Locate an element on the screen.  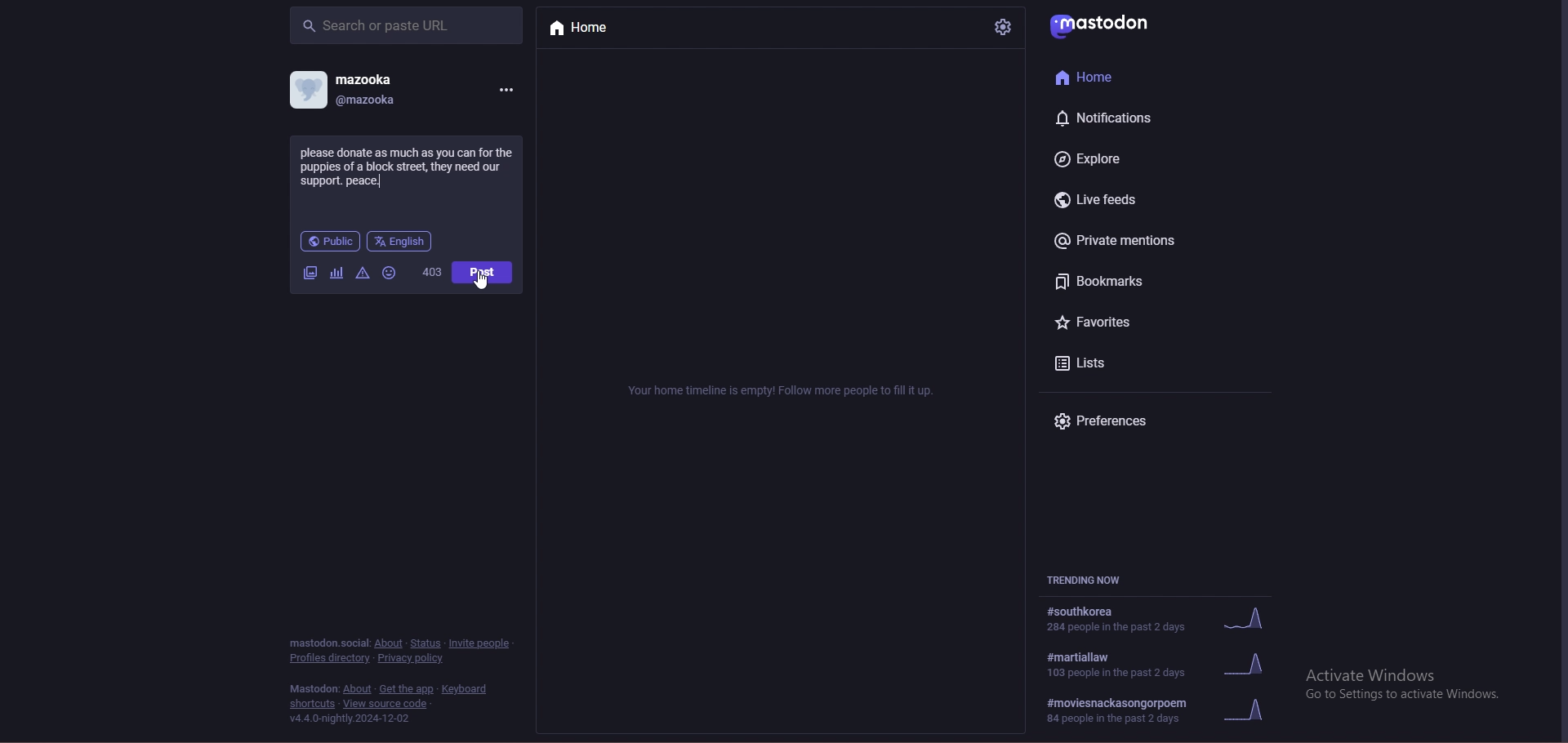
home is located at coordinates (595, 29).